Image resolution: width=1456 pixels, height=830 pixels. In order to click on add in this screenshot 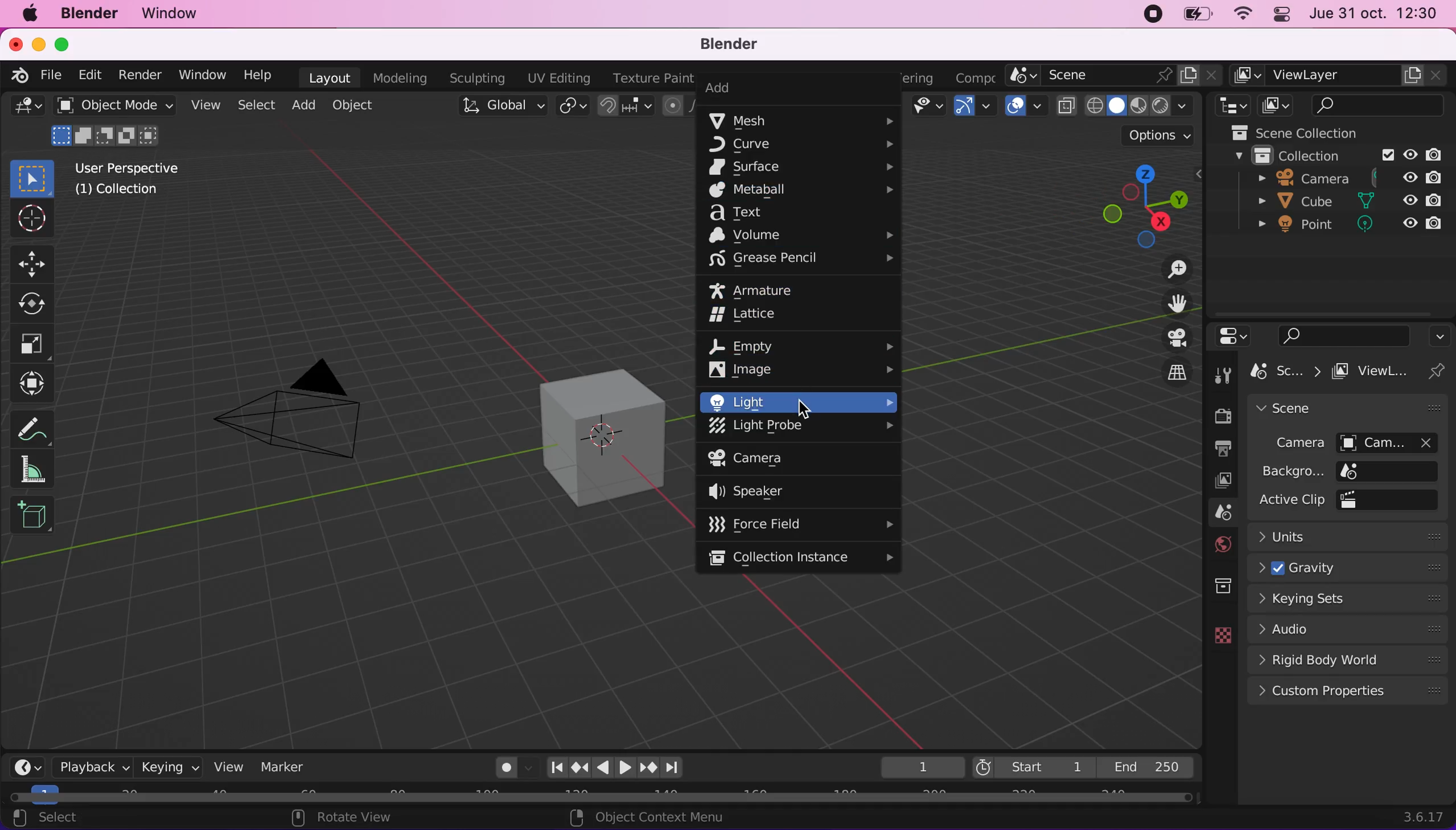, I will do `click(797, 87)`.